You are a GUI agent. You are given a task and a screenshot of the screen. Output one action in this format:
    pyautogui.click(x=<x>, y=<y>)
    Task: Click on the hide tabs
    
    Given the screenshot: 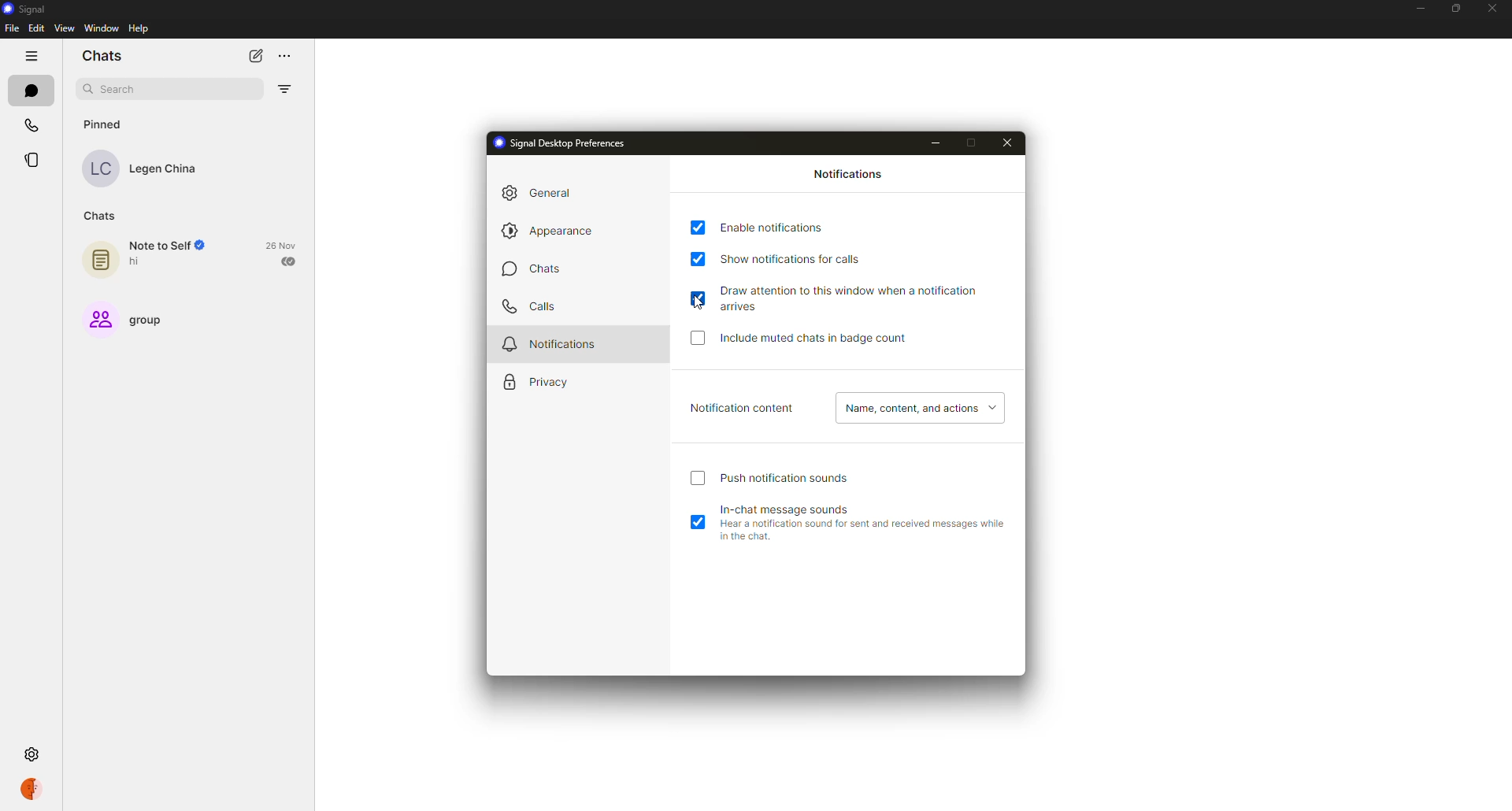 What is the action you would take?
    pyautogui.click(x=33, y=56)
    